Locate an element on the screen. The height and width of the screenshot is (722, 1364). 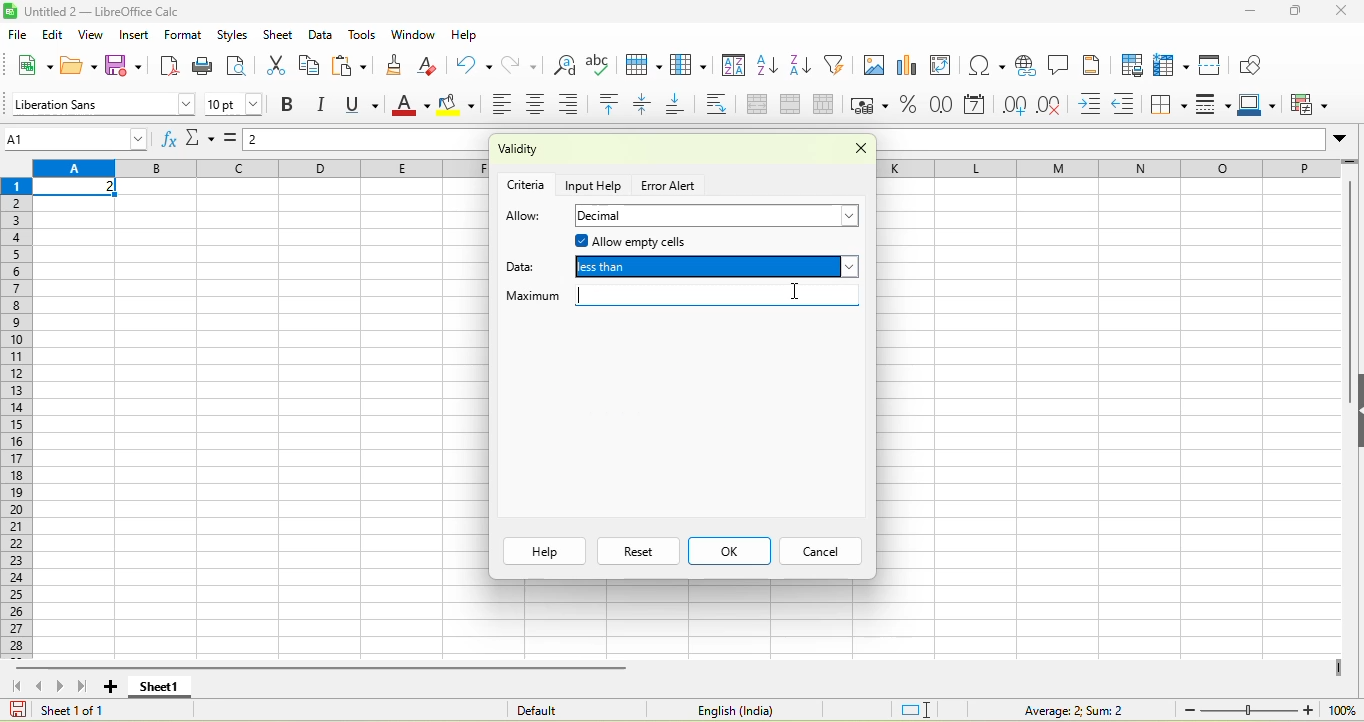
input help is located at coordinates (596, 184).